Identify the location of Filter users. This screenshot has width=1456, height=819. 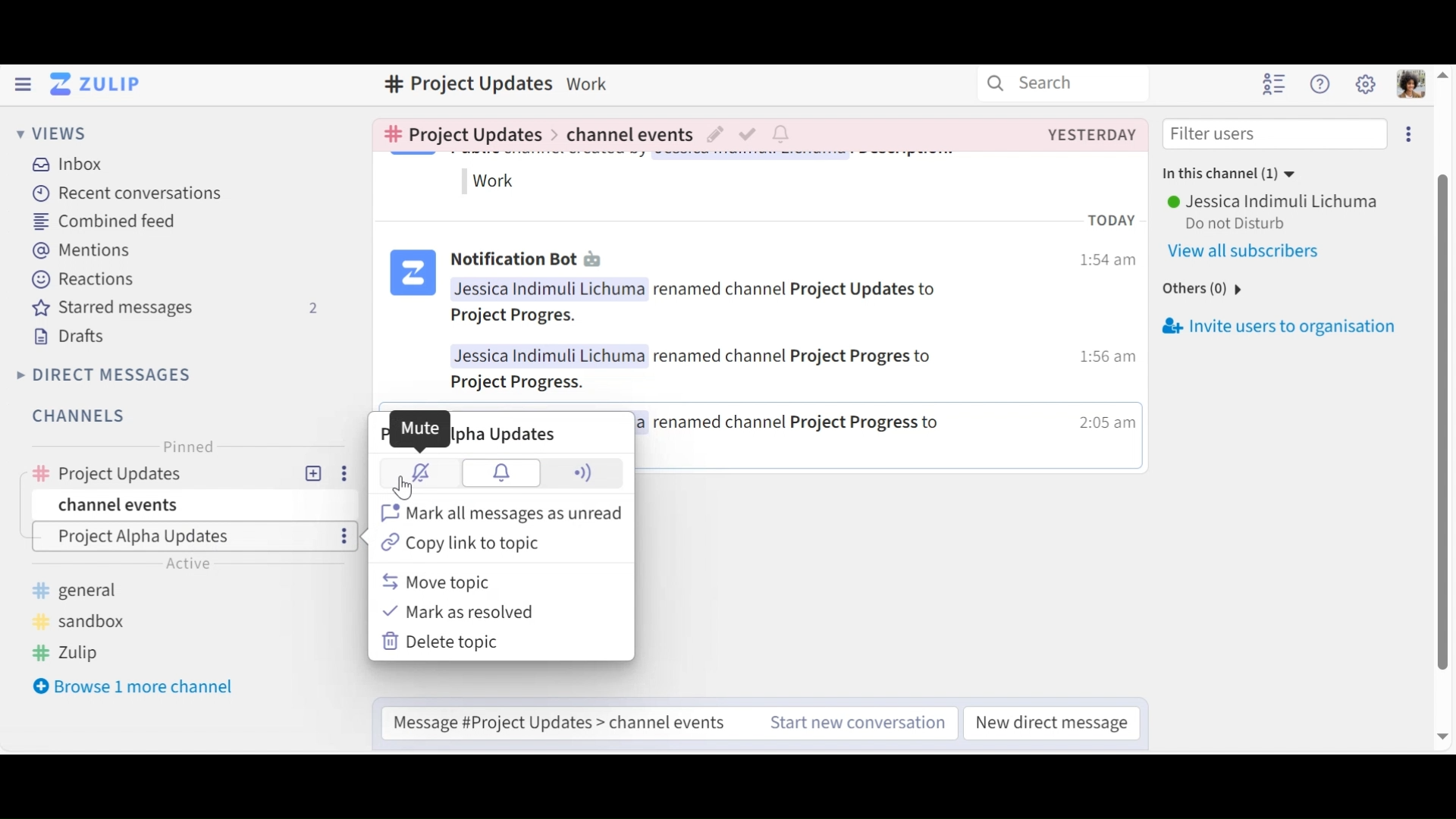
(1276, 134).